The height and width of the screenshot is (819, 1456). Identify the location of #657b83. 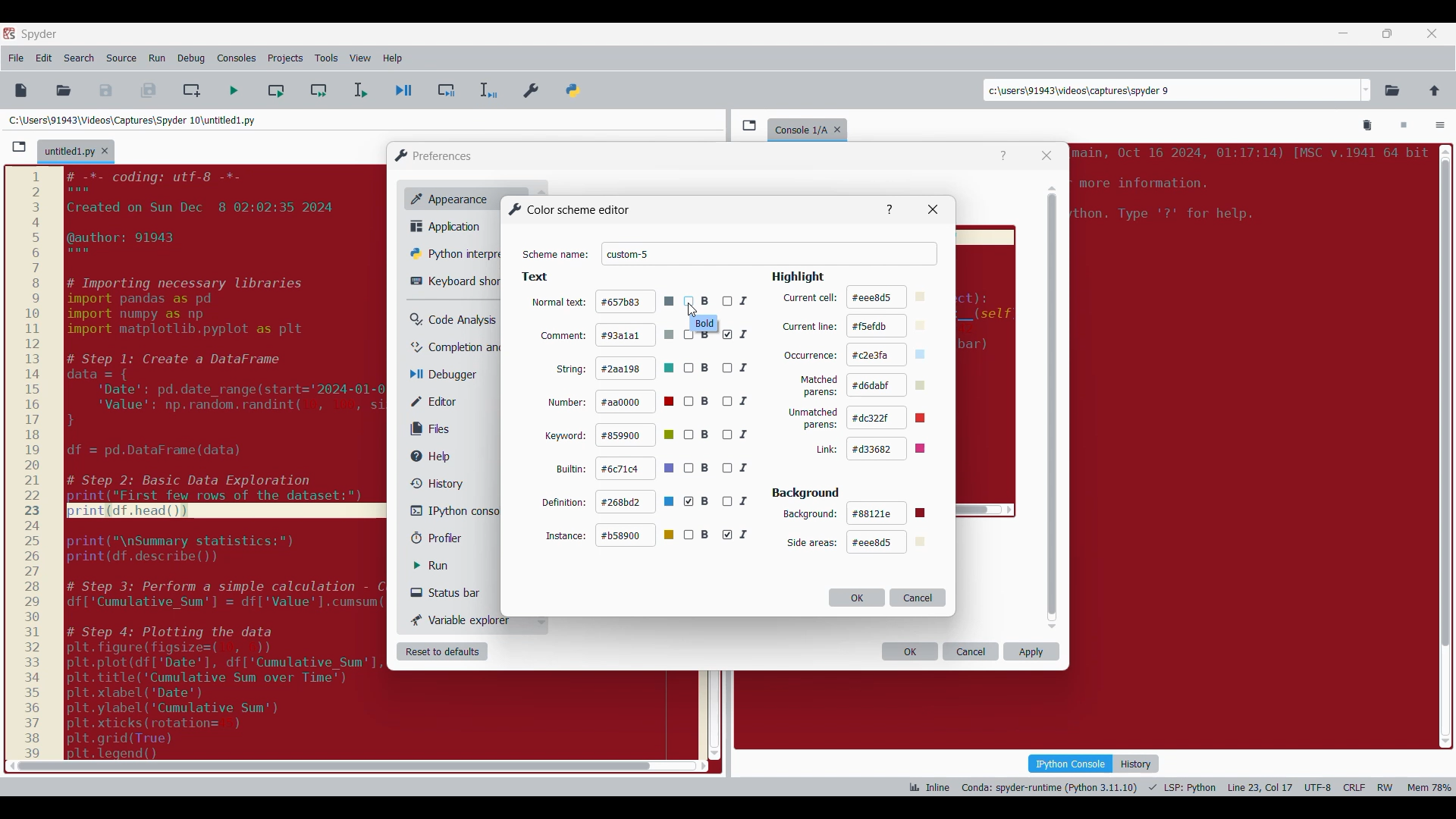
(635, 301).